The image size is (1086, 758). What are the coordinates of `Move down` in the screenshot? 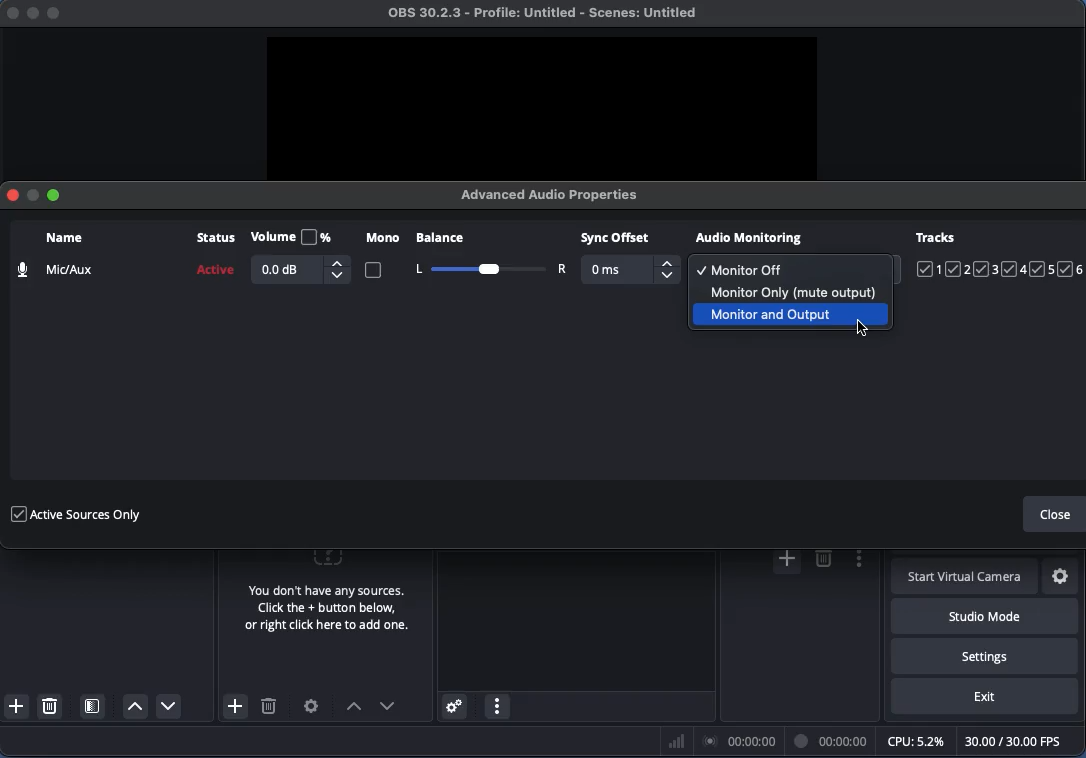 It's located at (167, 705).